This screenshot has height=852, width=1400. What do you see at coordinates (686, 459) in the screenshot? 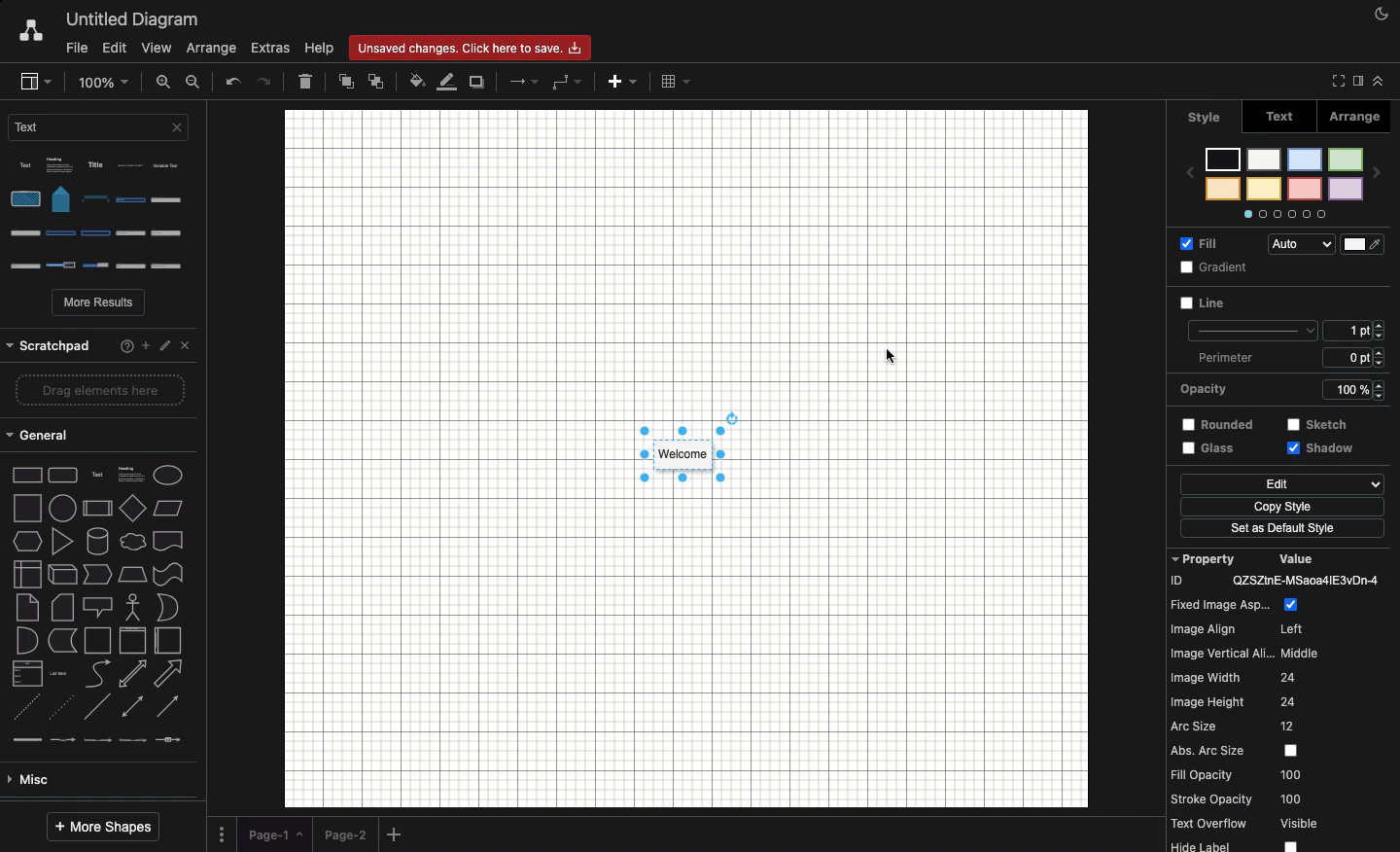
I see `Canvas` at bounding box center [686, 459].